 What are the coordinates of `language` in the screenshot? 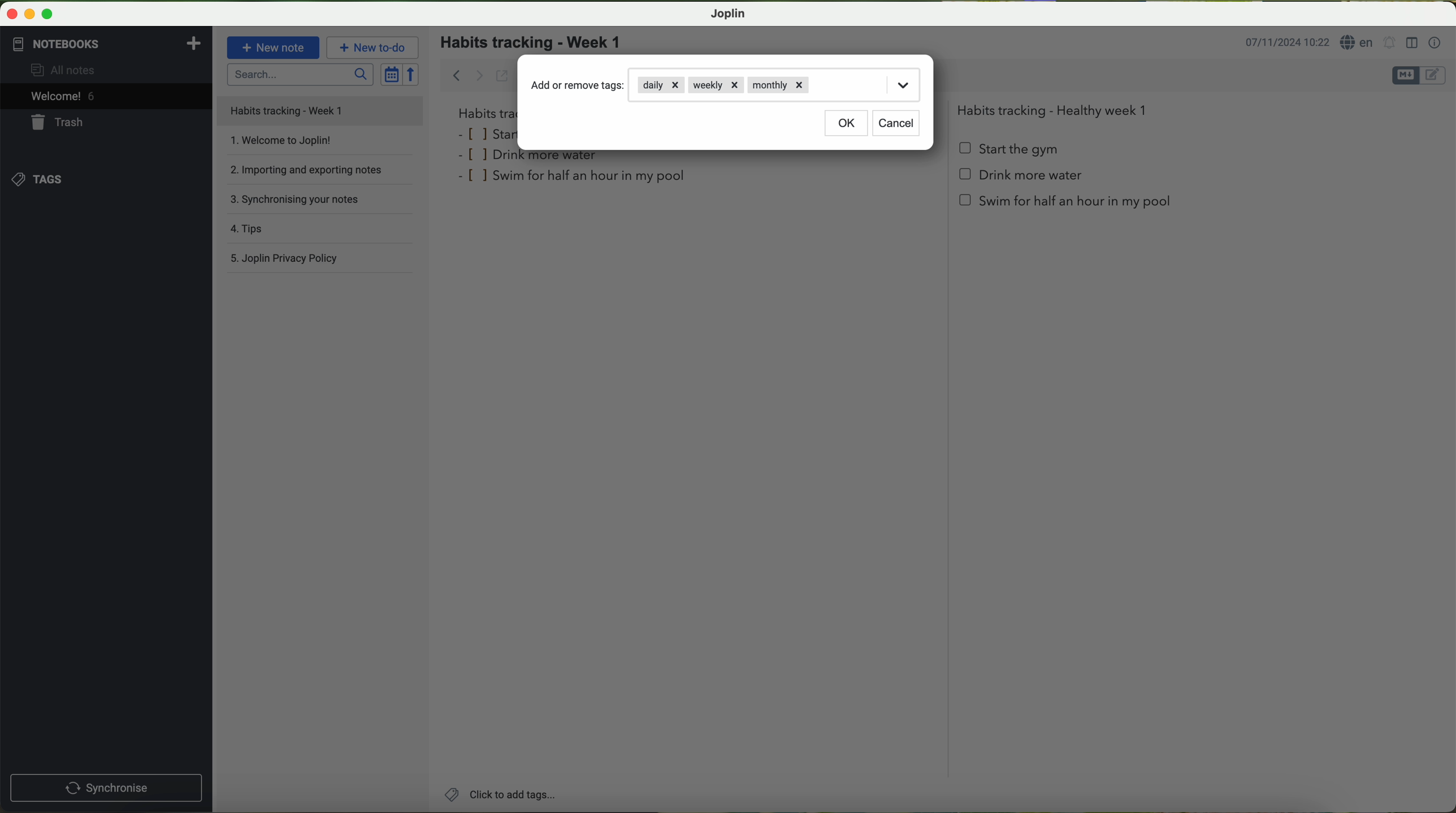 It's located at (1358, 42).